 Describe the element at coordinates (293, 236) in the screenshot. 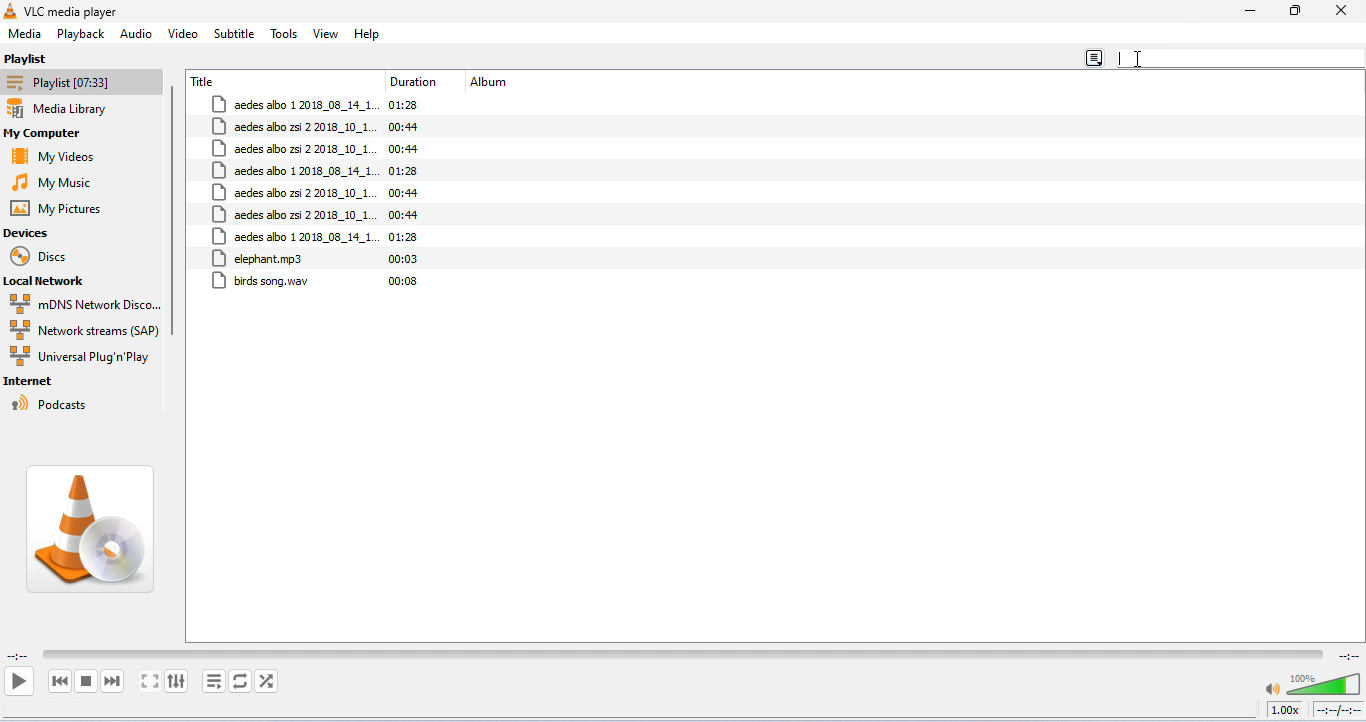

I see `aedes albo 1 2018_08_14_1` at that location.